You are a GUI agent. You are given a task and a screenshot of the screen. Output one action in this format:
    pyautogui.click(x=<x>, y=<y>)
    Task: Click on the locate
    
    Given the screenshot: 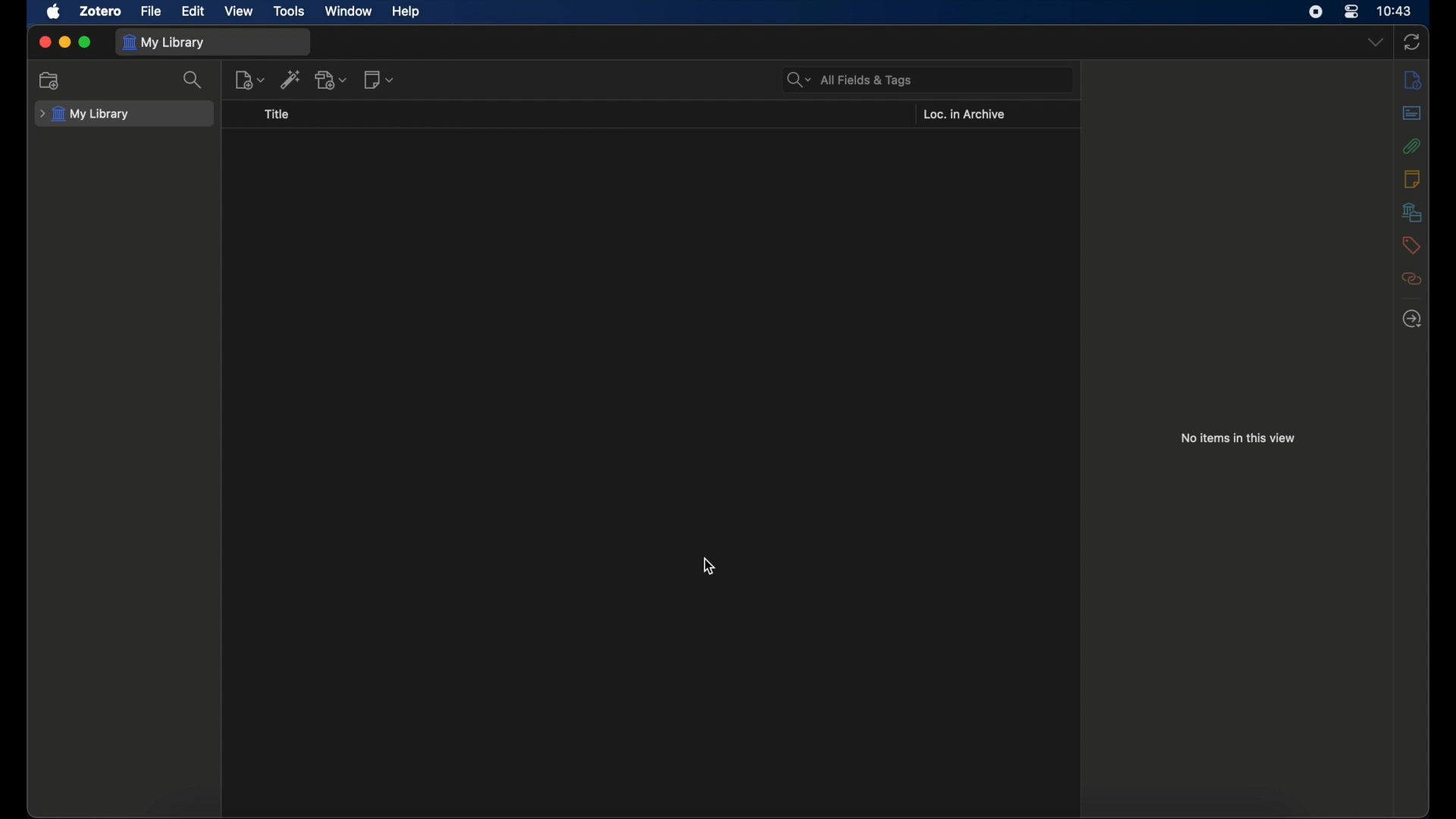 What is the action you would take?
    pyautogui.click(x=1412, y=319)
    